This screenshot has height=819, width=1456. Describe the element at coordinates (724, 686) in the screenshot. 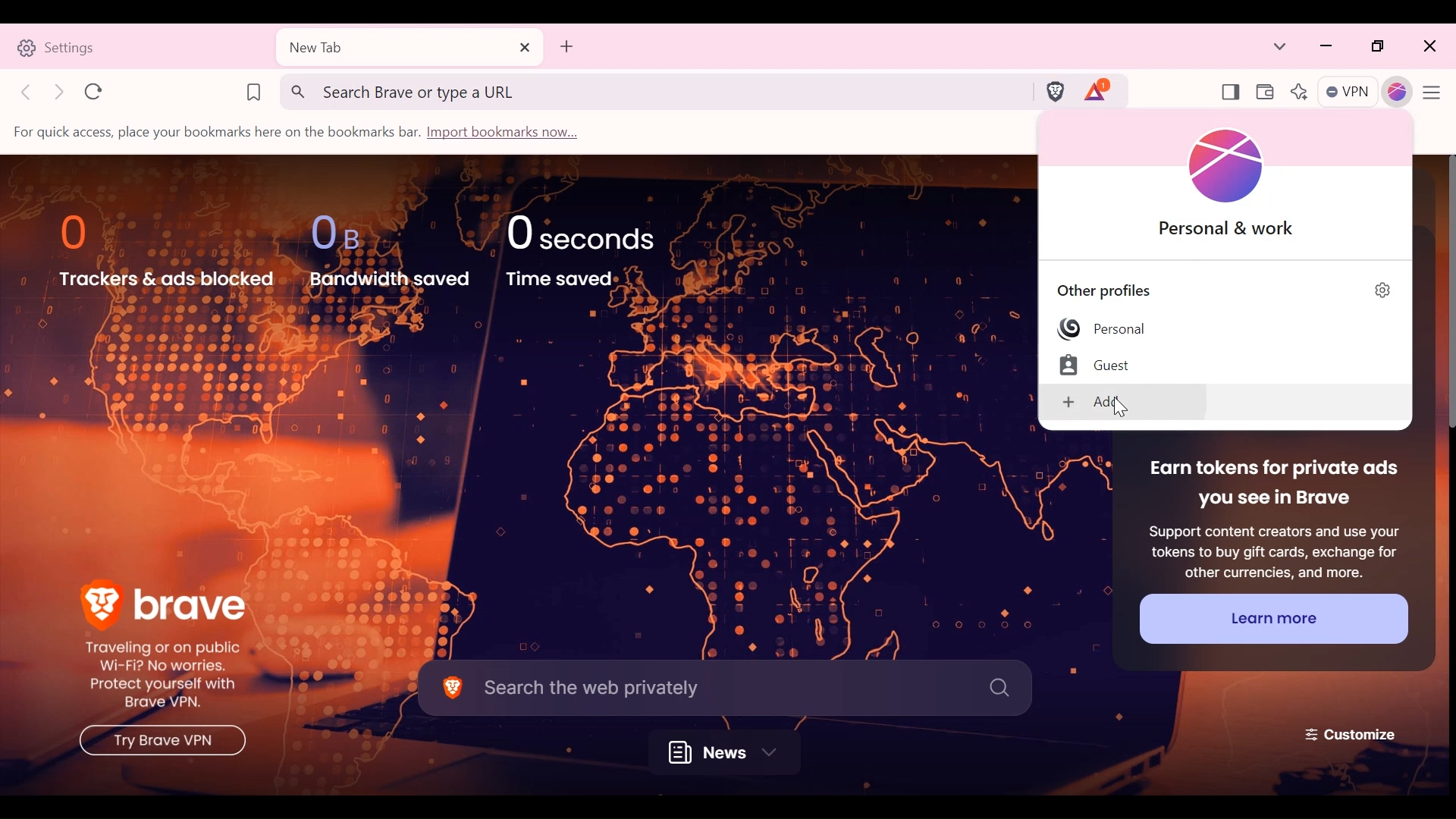

I see `Search the web privately` at that location.